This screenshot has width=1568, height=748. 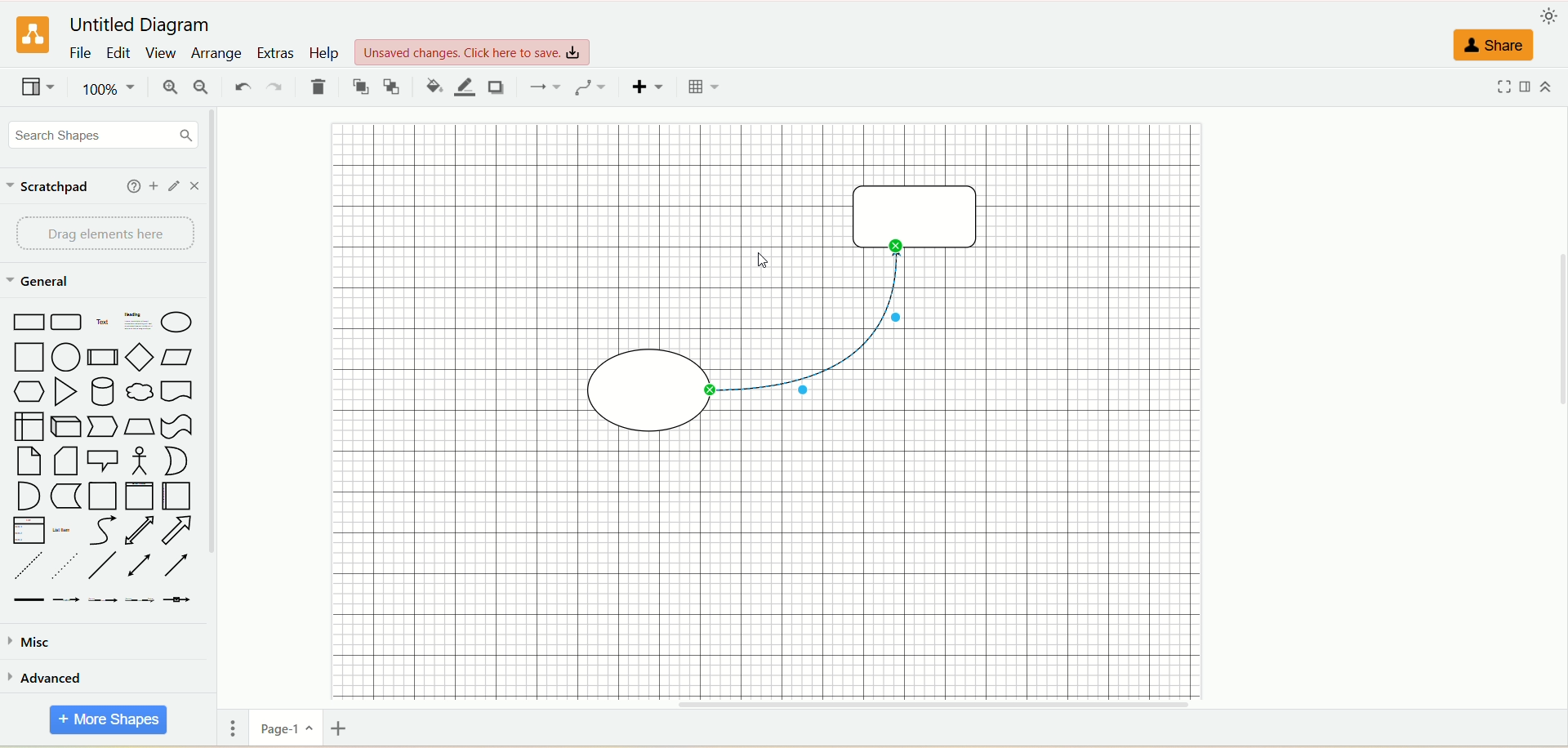 What do you see at coordinates (38, 89) in the screenshot?
I see `view` at bounding box center [38, 89].